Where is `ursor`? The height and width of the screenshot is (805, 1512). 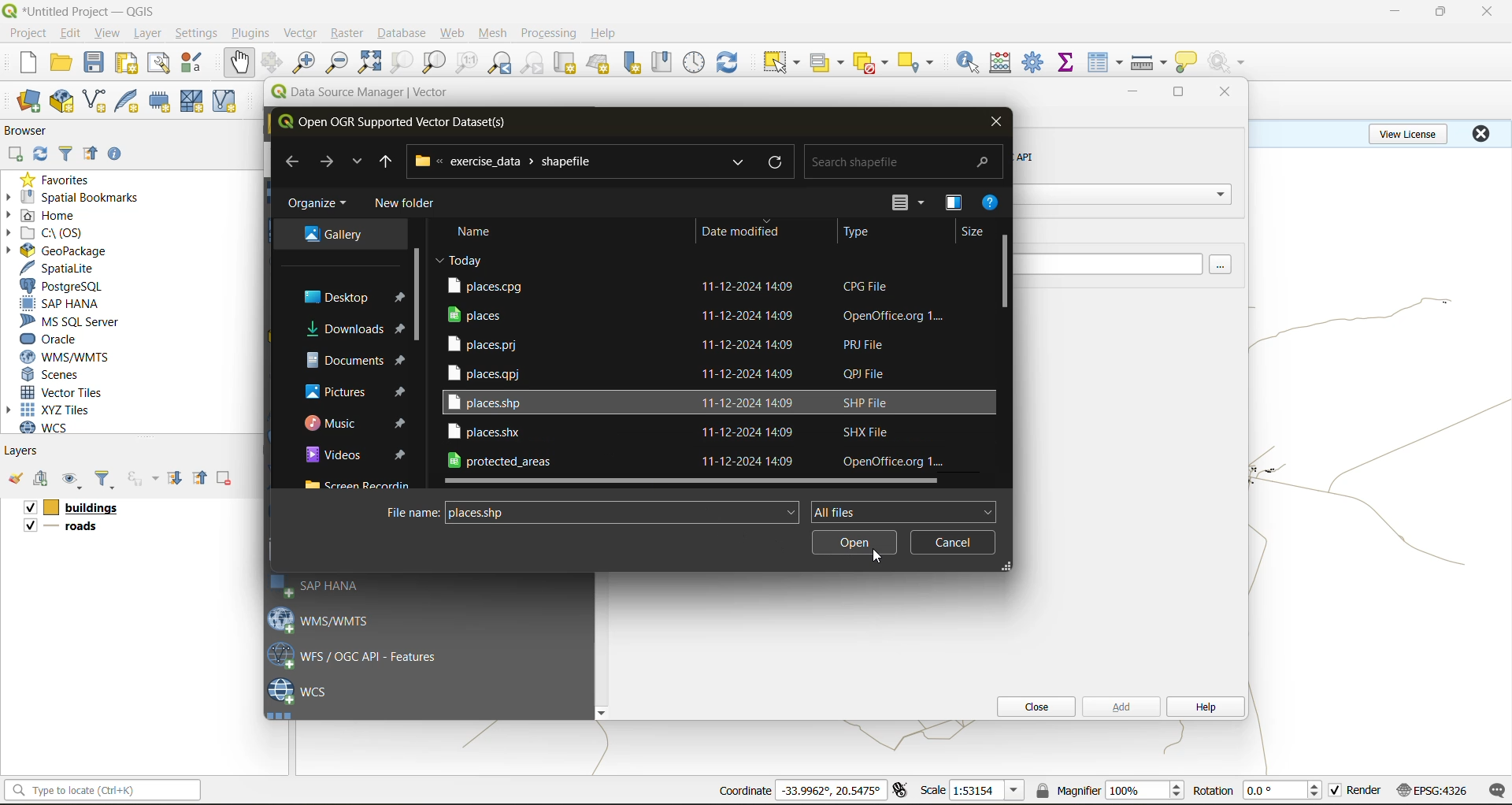 ursor is located at coordinates (878, 555).